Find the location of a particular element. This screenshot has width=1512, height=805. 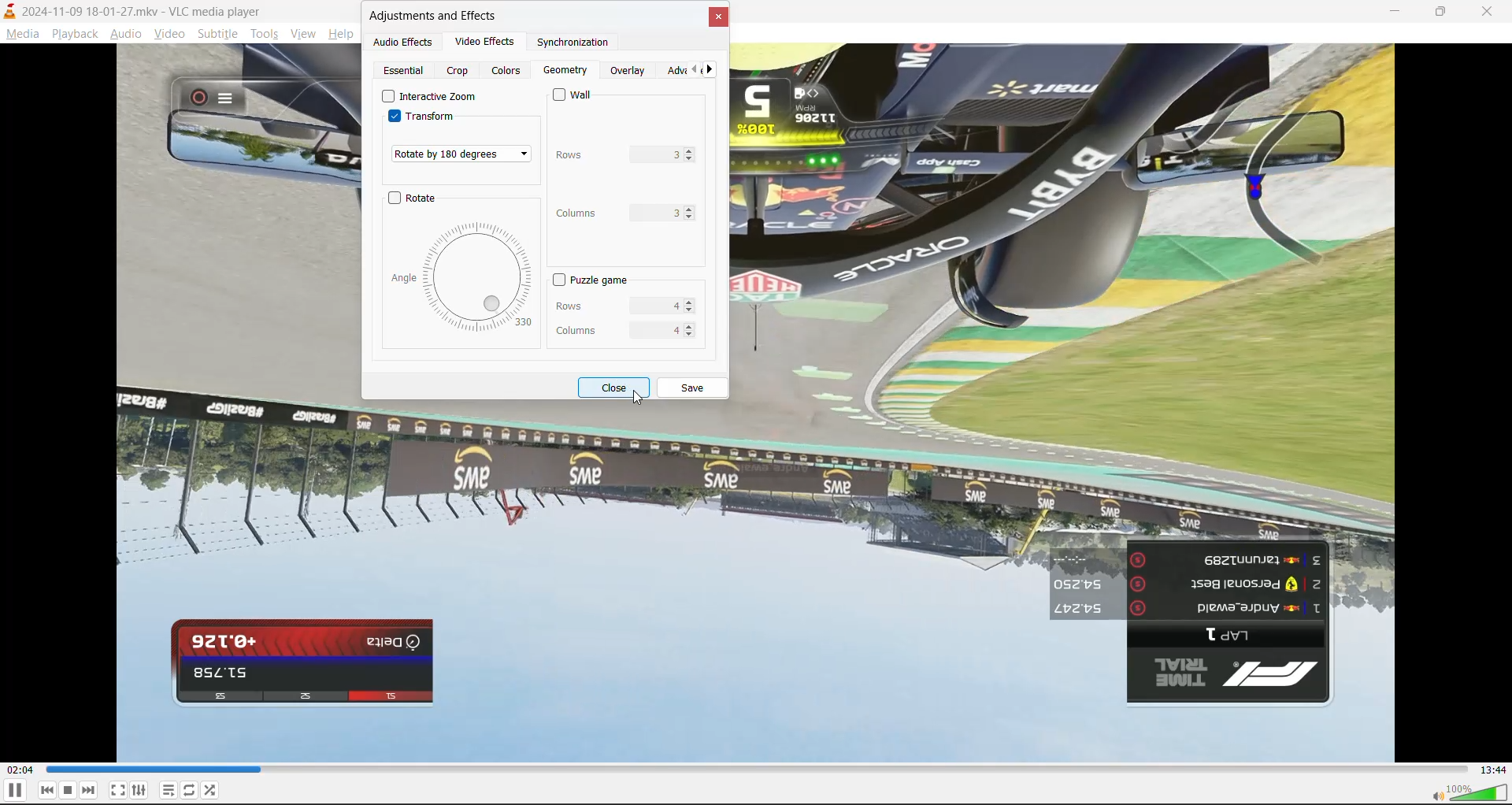

audio effects is located at coordinates (404, 43).